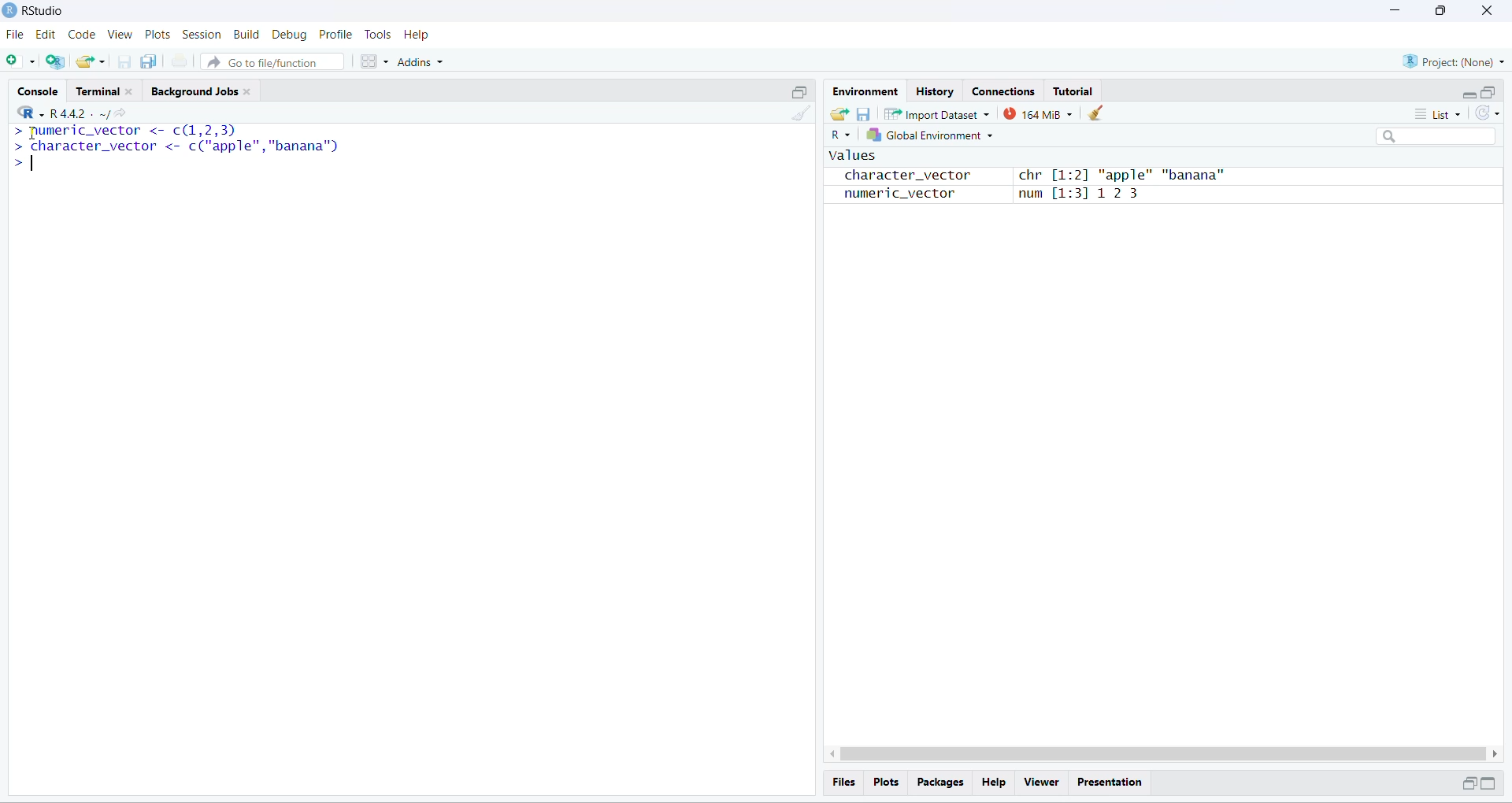 This screenshot has width=1512, height=803. Describe the element at coordinates (1438, 137) in the screenshot. I see `search` at that location.